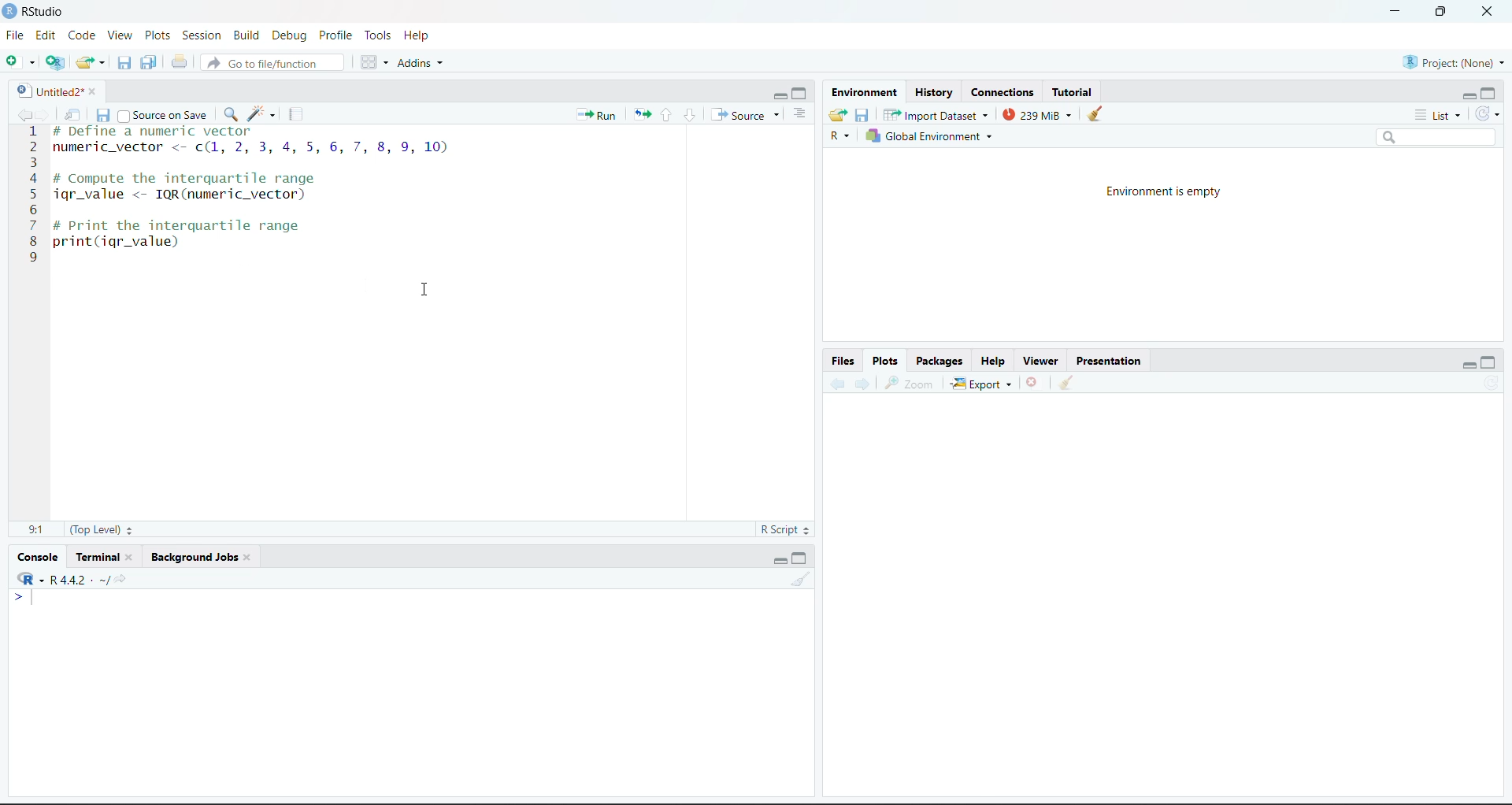 Image resolution: width=1512 pixels, height=805 pixels. Describe the element at coordinates (1070, 382) in the screenshot. I see `Clear console (Ctrl +L)` at that location.